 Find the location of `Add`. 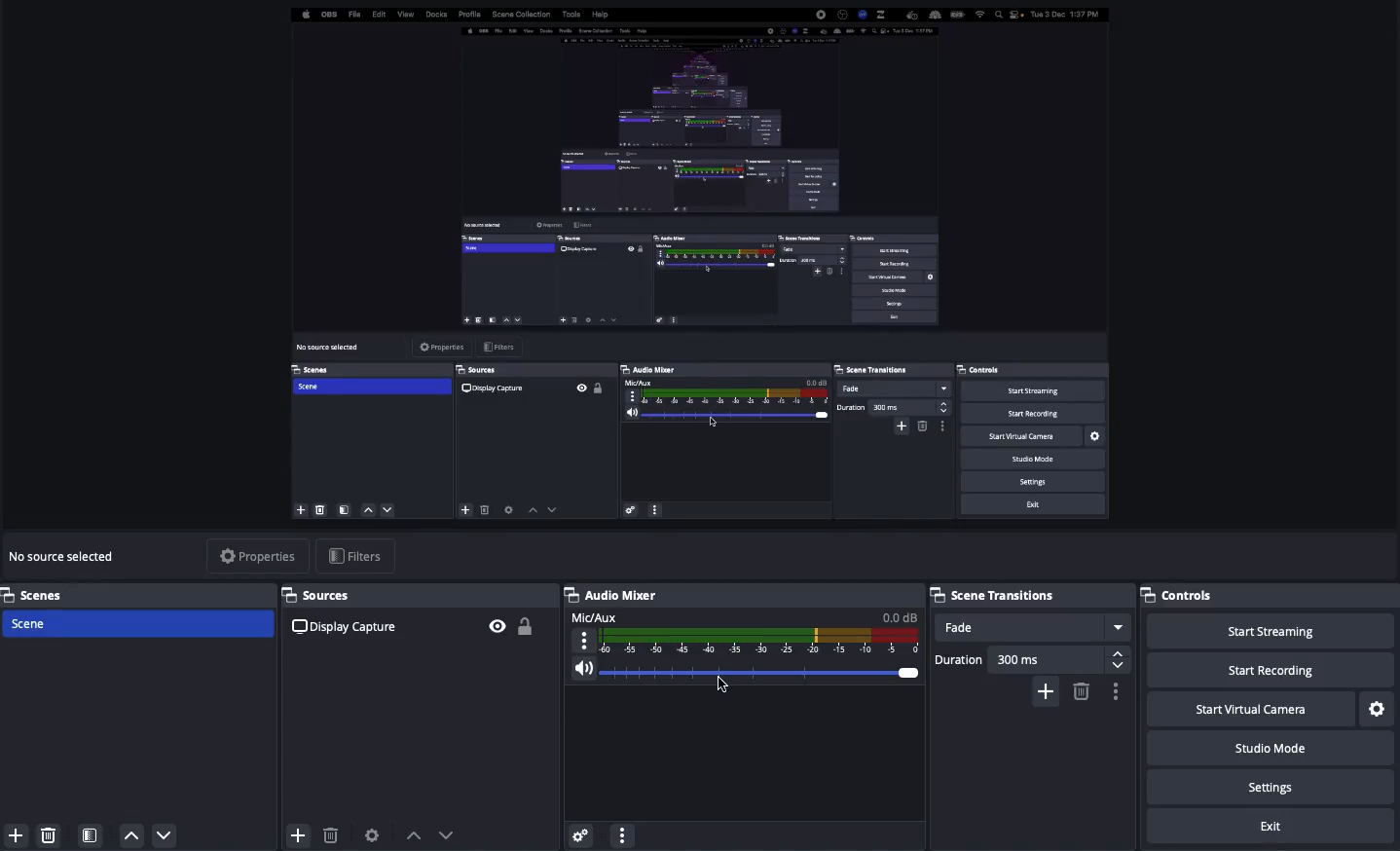

Add is located at coordinates (1045, 692).